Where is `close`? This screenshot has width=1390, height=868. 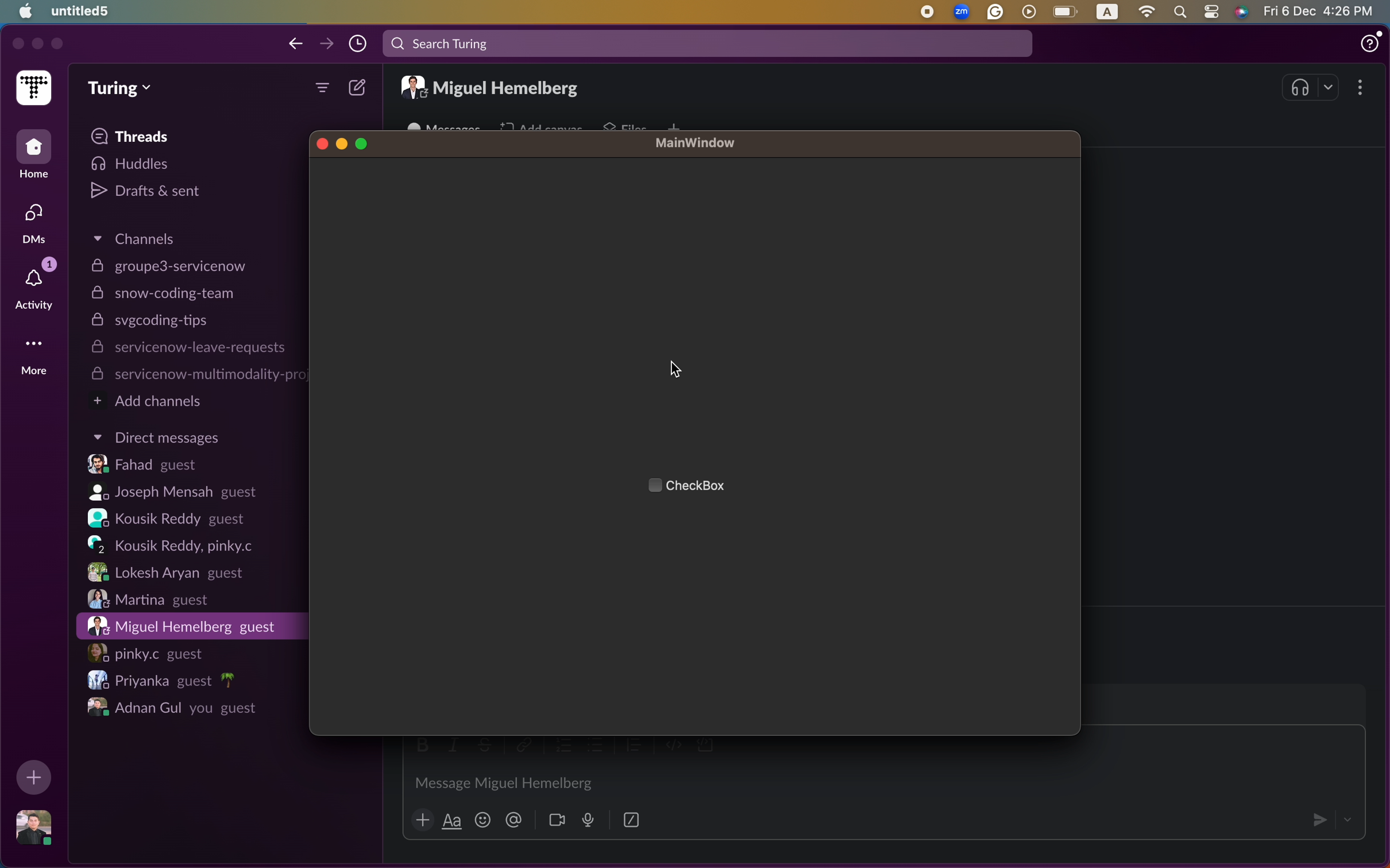
close is located at coordinates (57, 46).